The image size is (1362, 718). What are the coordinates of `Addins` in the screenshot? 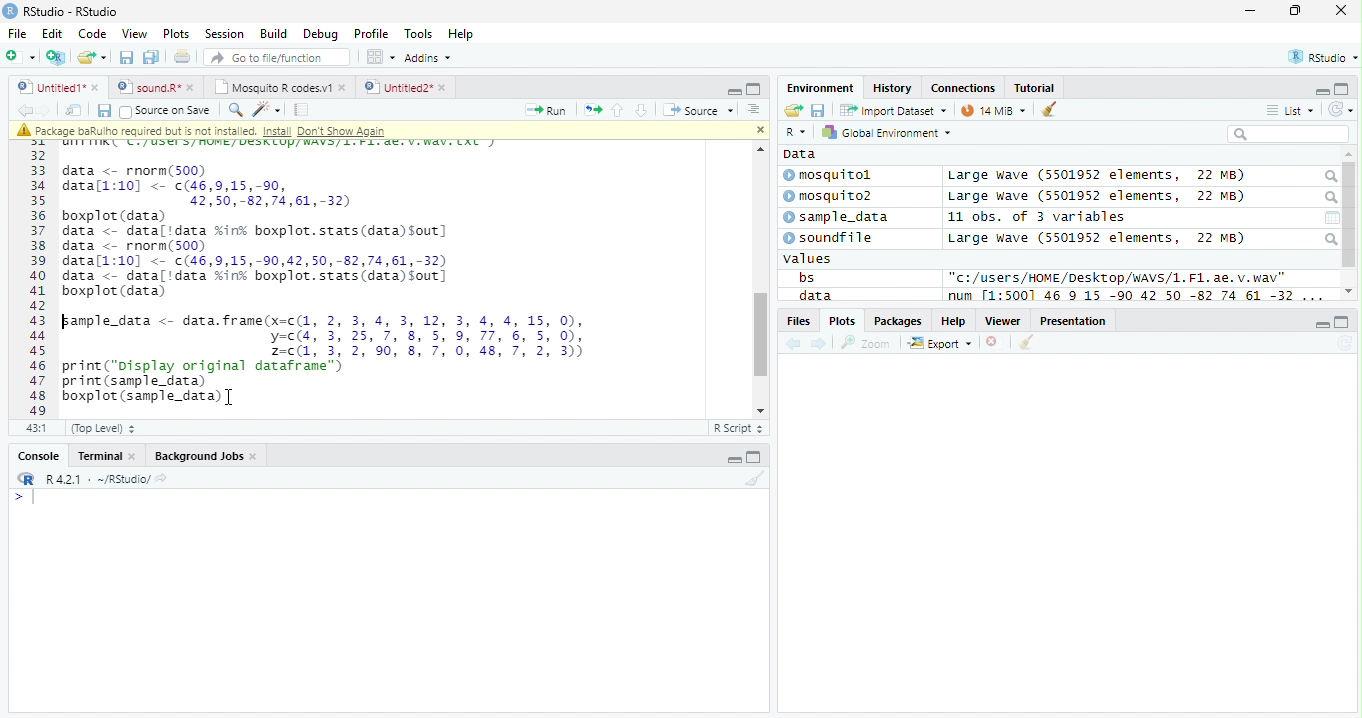 It's located at (430, 57).